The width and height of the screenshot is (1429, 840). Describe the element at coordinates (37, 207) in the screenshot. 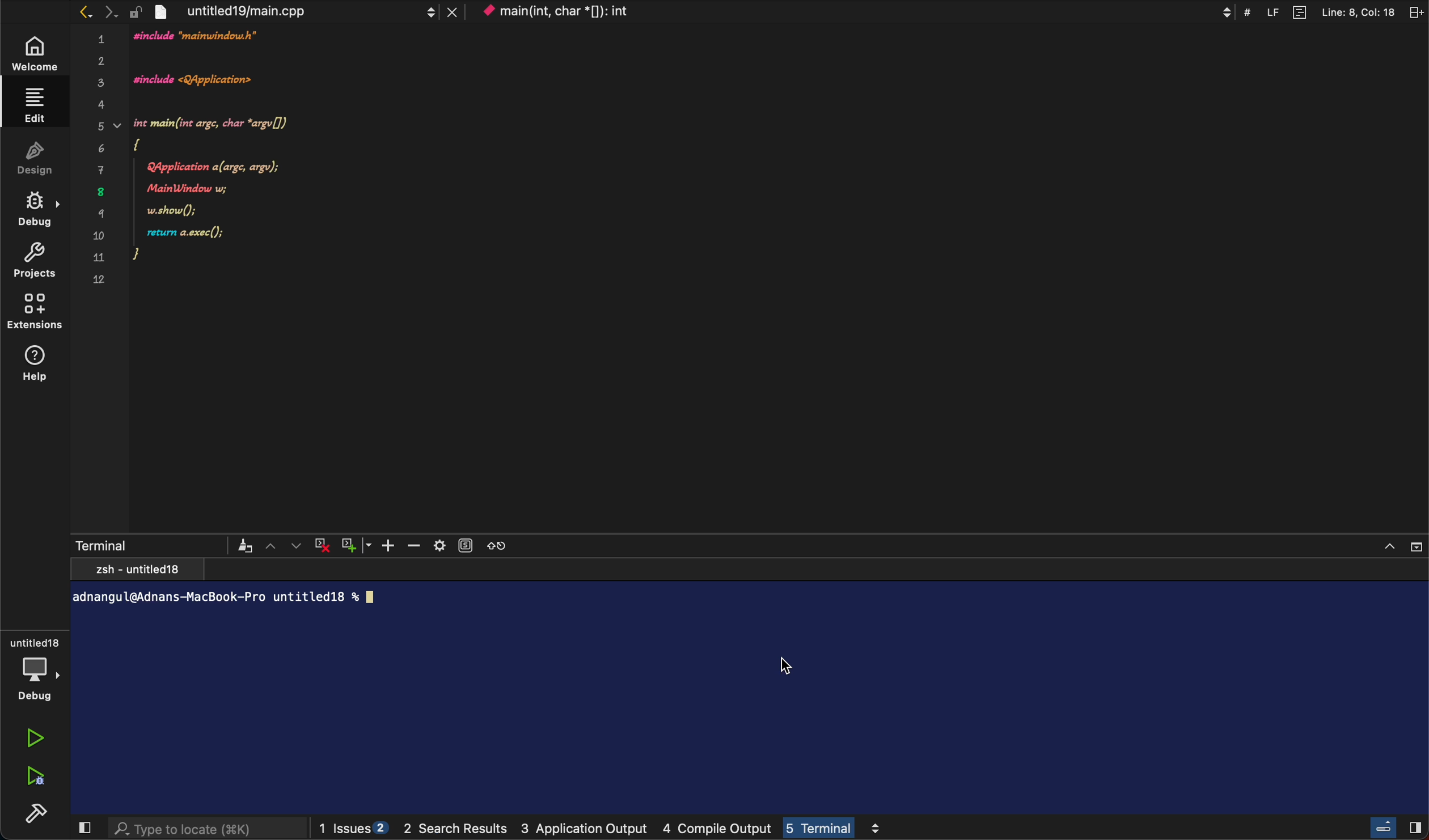

I see `debug` at that location.